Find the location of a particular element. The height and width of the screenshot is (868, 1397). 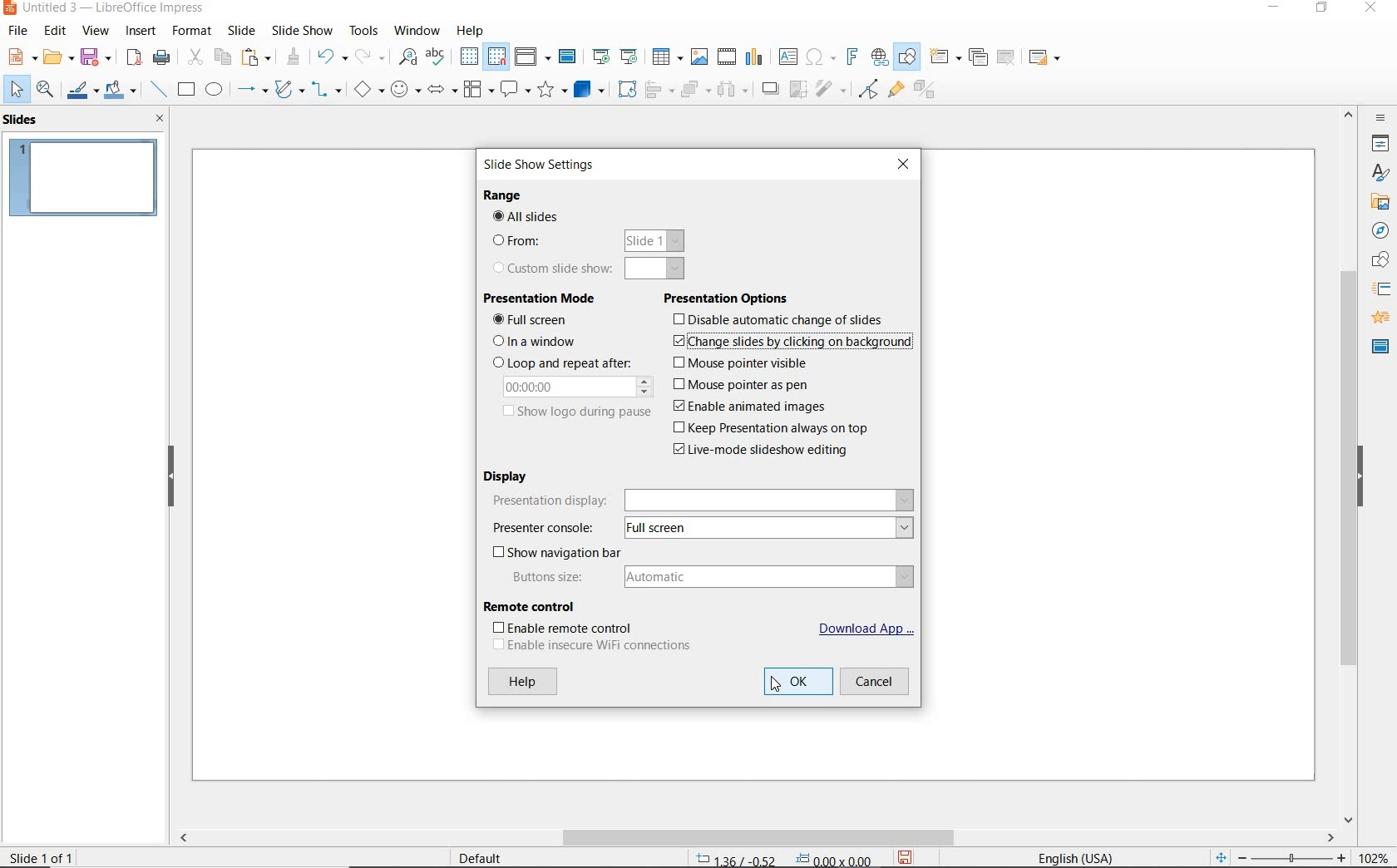

LINE COLOR is located at coordinates (80, 91).